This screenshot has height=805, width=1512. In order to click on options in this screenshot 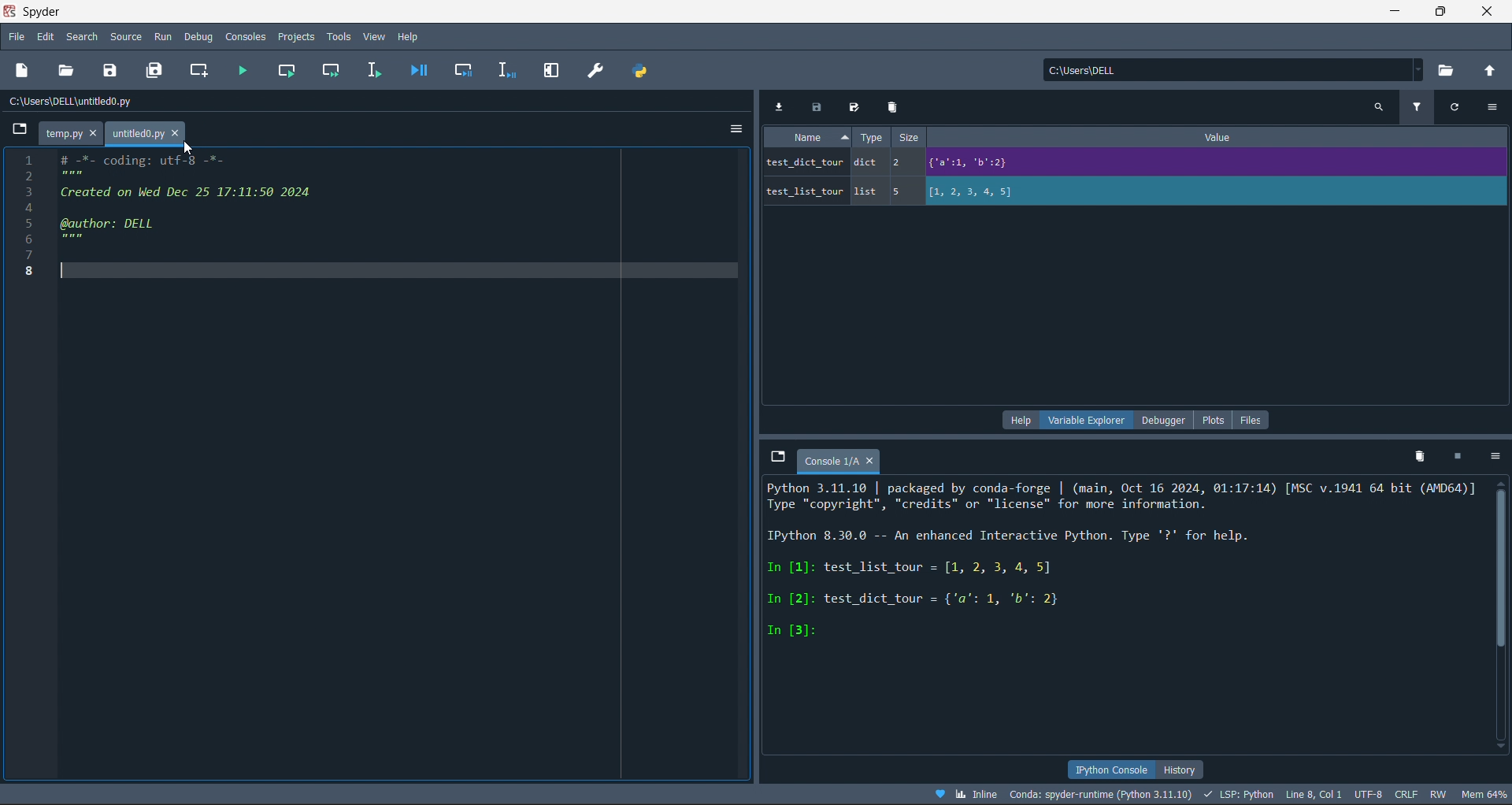, I will do `click(1497, 456)`.